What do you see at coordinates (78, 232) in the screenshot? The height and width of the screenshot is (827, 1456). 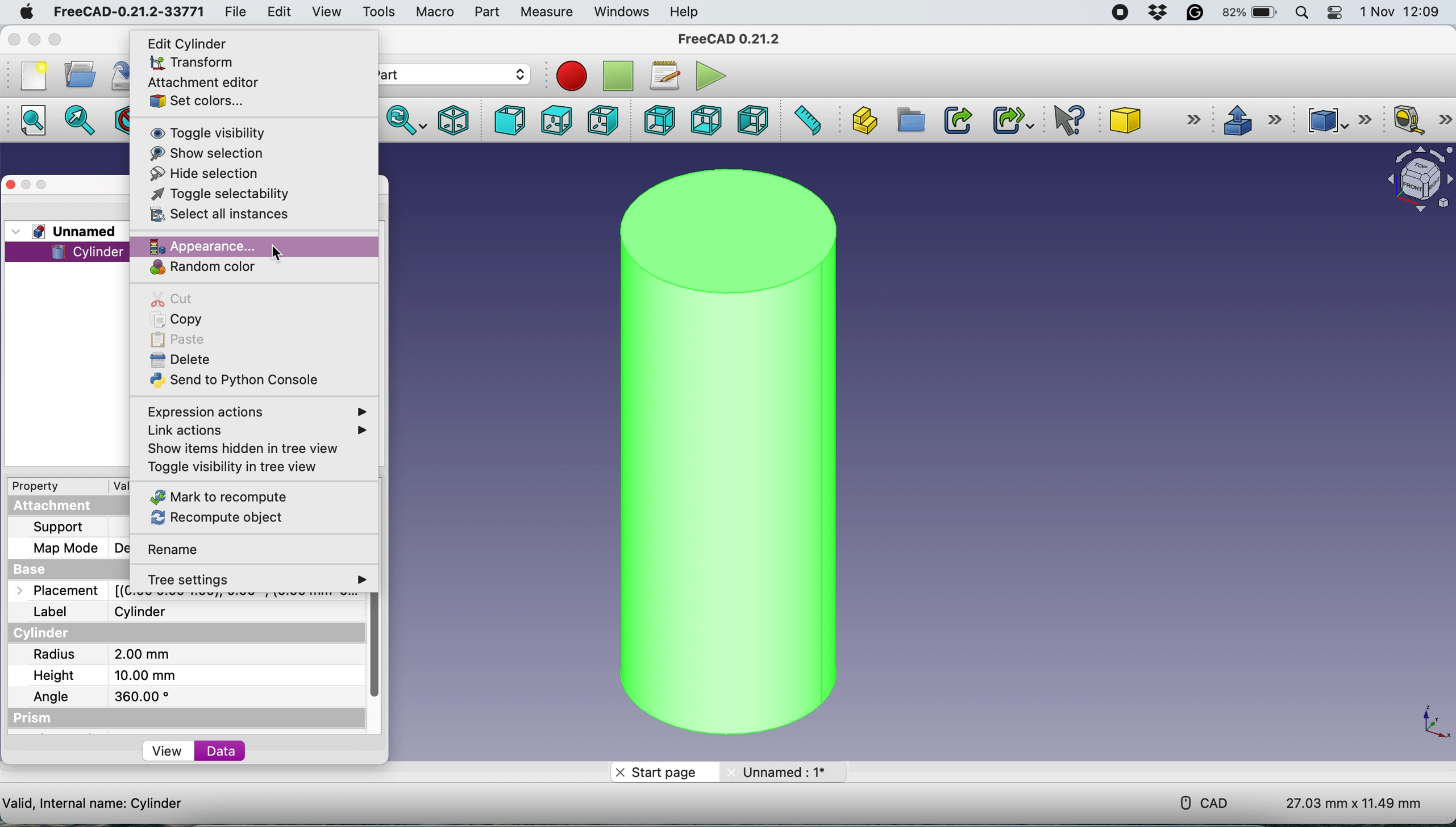 I see `unnamed` at bounding box center [78, 232].